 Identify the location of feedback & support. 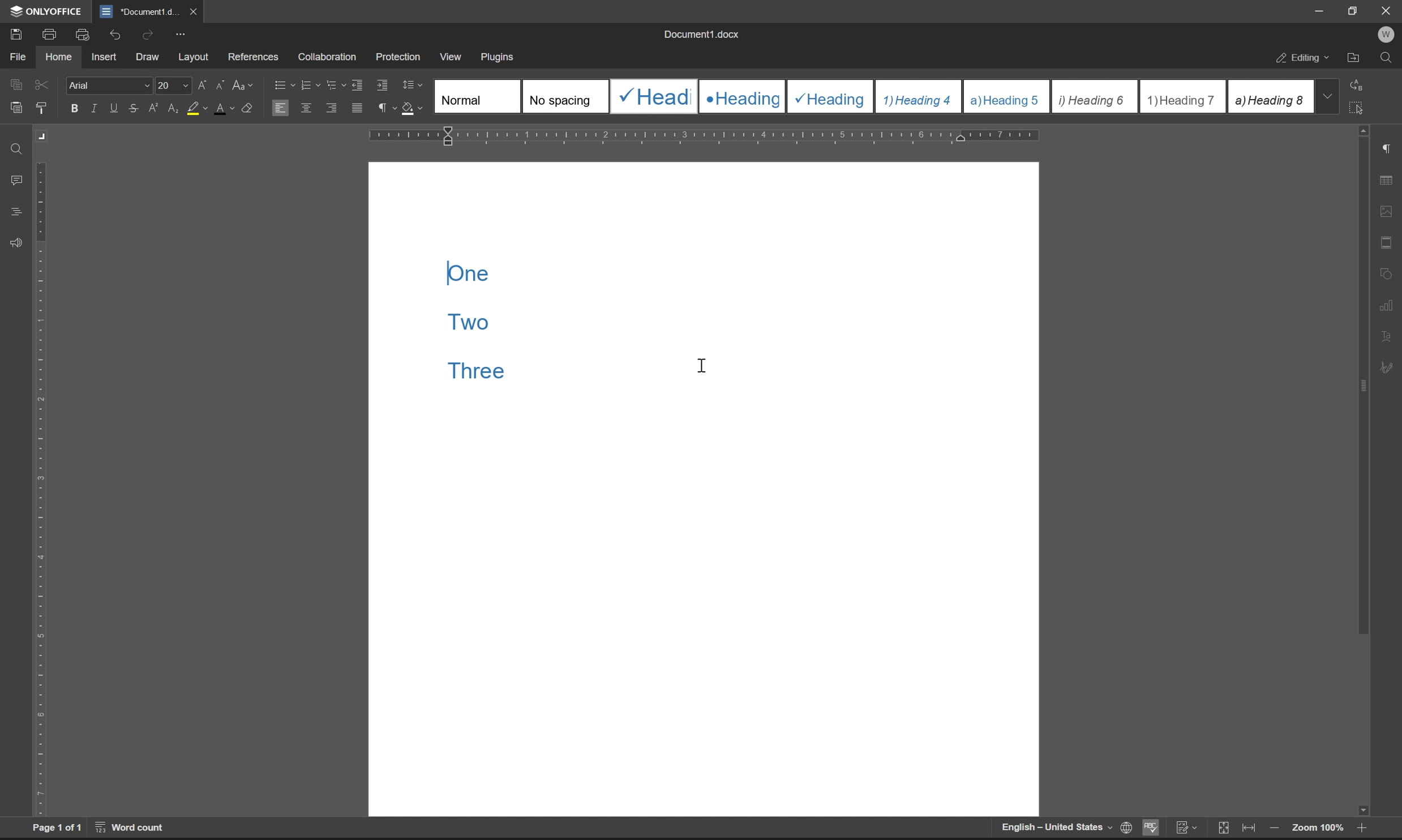
(17, 244).